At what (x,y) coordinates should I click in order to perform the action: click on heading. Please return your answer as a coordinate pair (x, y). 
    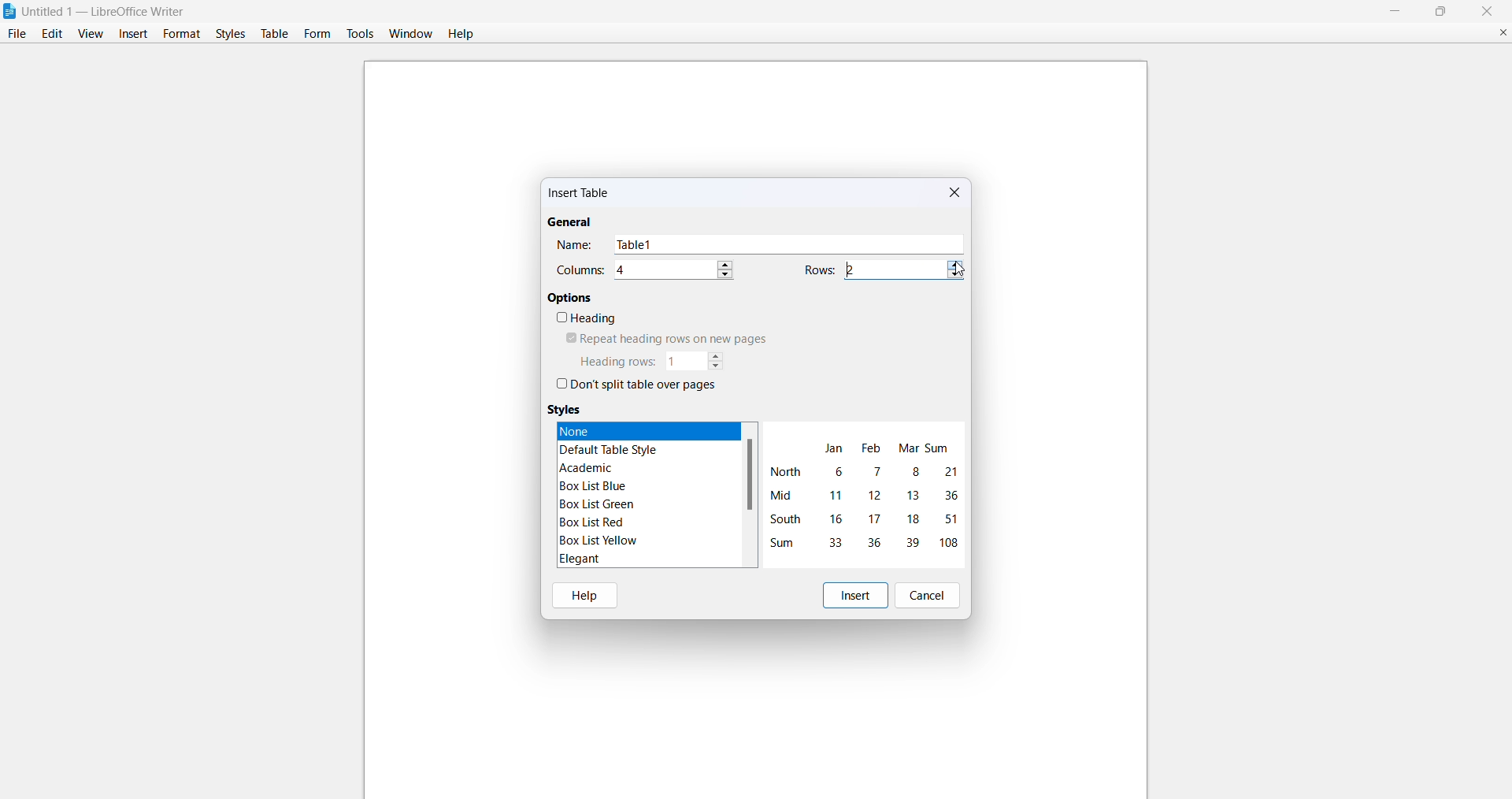
    Looking at the image, I should click on (586, 319).